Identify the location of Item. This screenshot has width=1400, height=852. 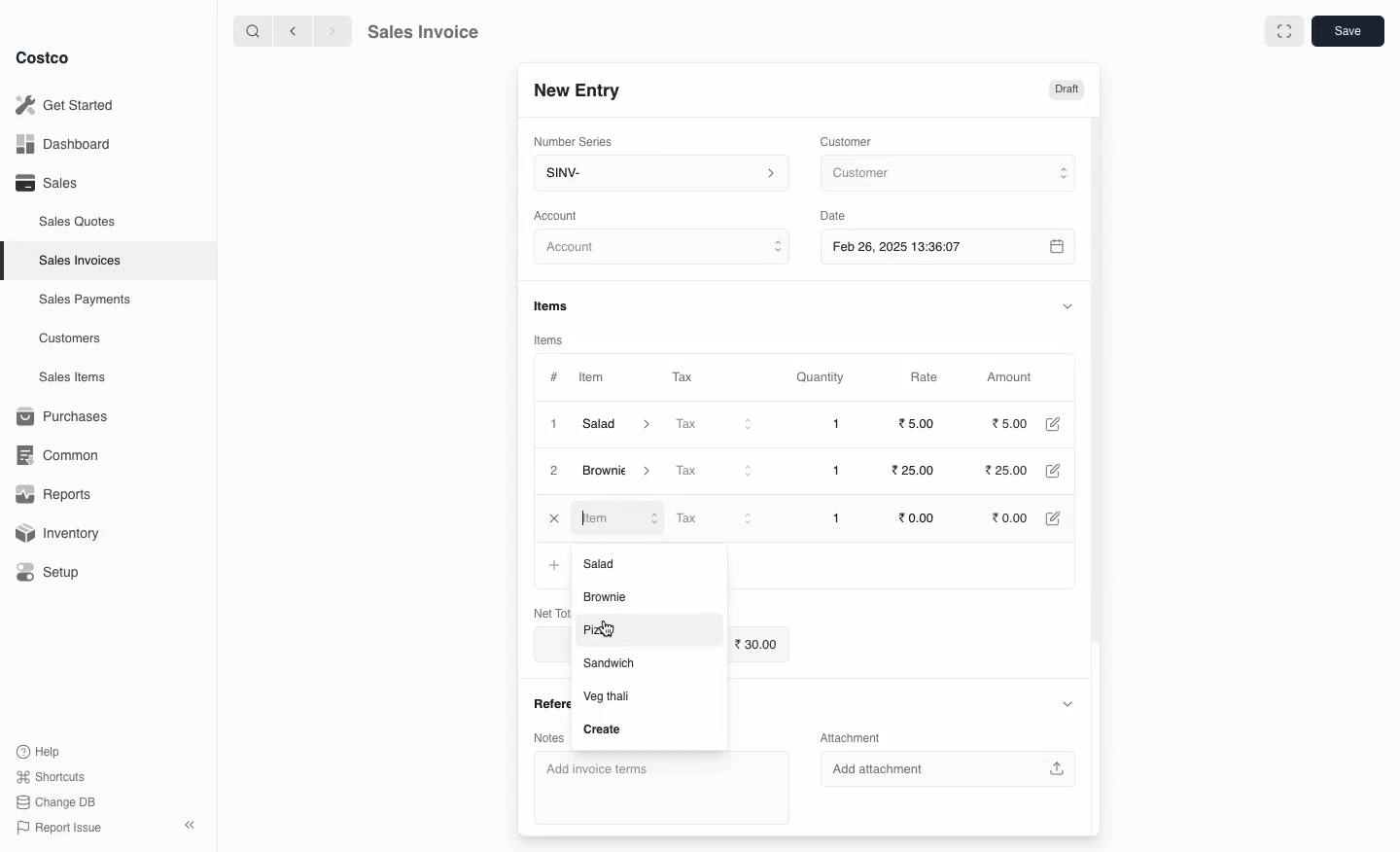
(594, 379).